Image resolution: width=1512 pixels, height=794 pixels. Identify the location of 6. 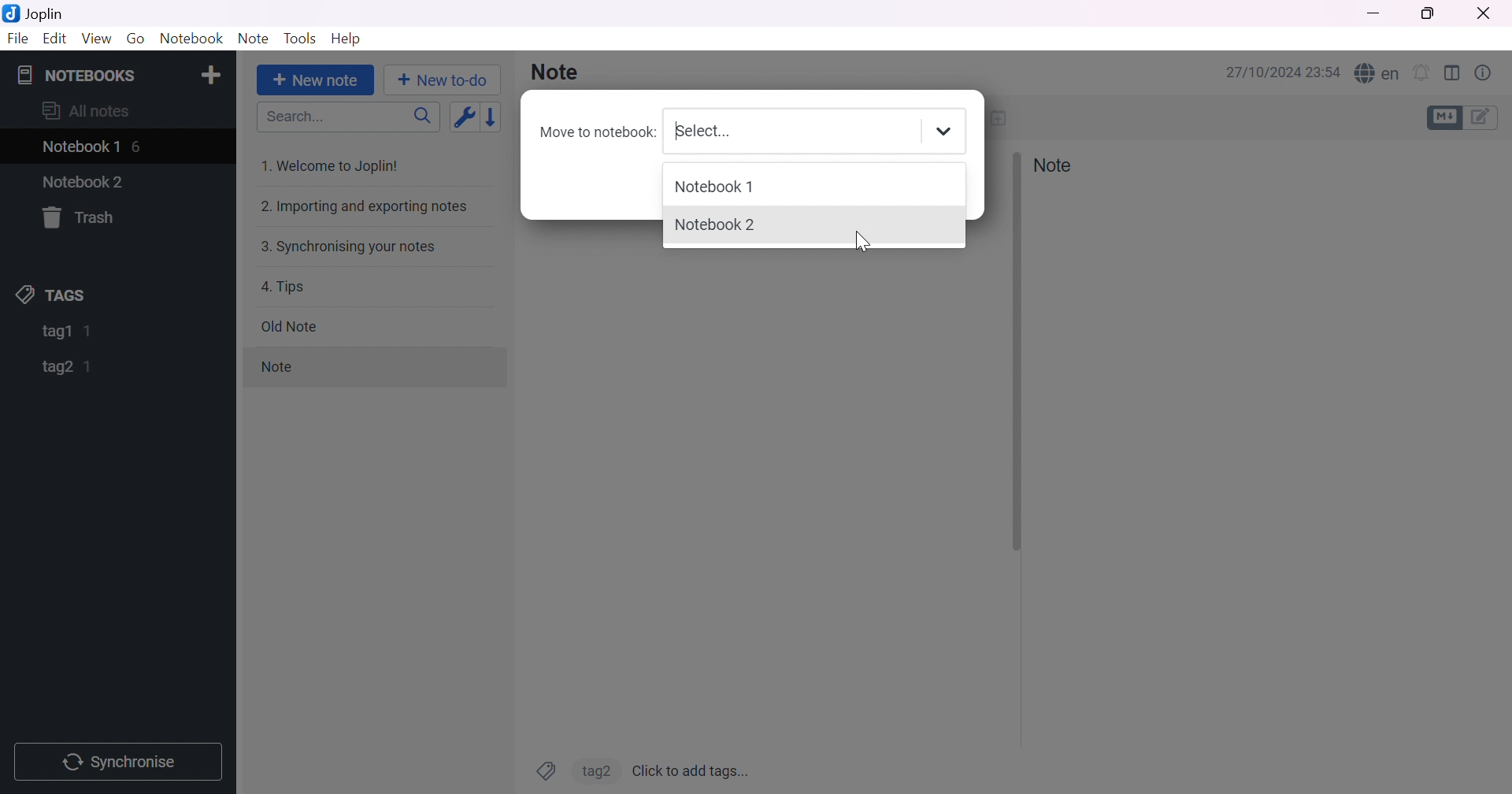
(139, 146).